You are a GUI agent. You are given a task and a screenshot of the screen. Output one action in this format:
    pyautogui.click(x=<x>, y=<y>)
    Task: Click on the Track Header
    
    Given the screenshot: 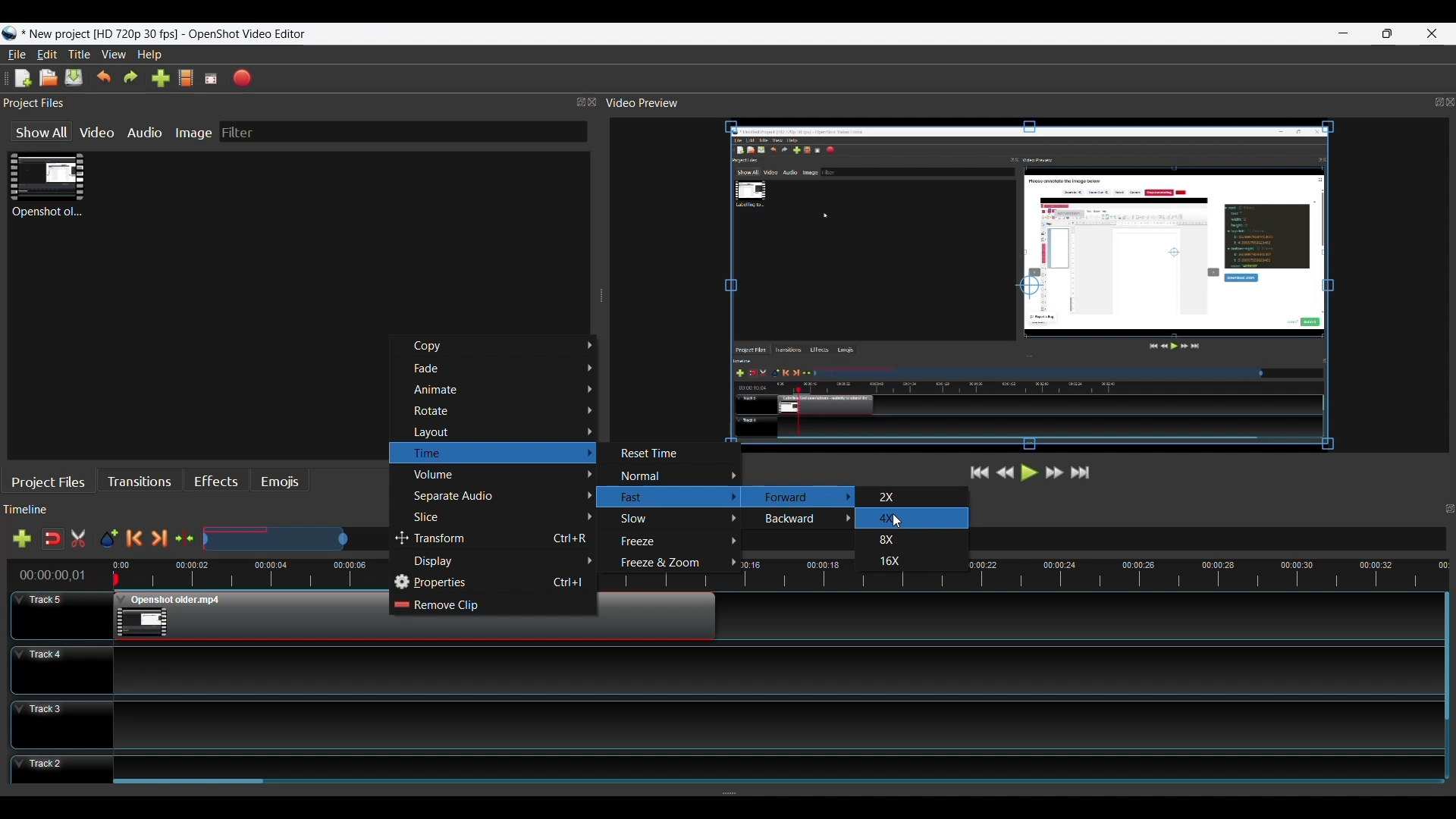 What is the action you would take?
    pyautogui.click(x=58, y=670)
    